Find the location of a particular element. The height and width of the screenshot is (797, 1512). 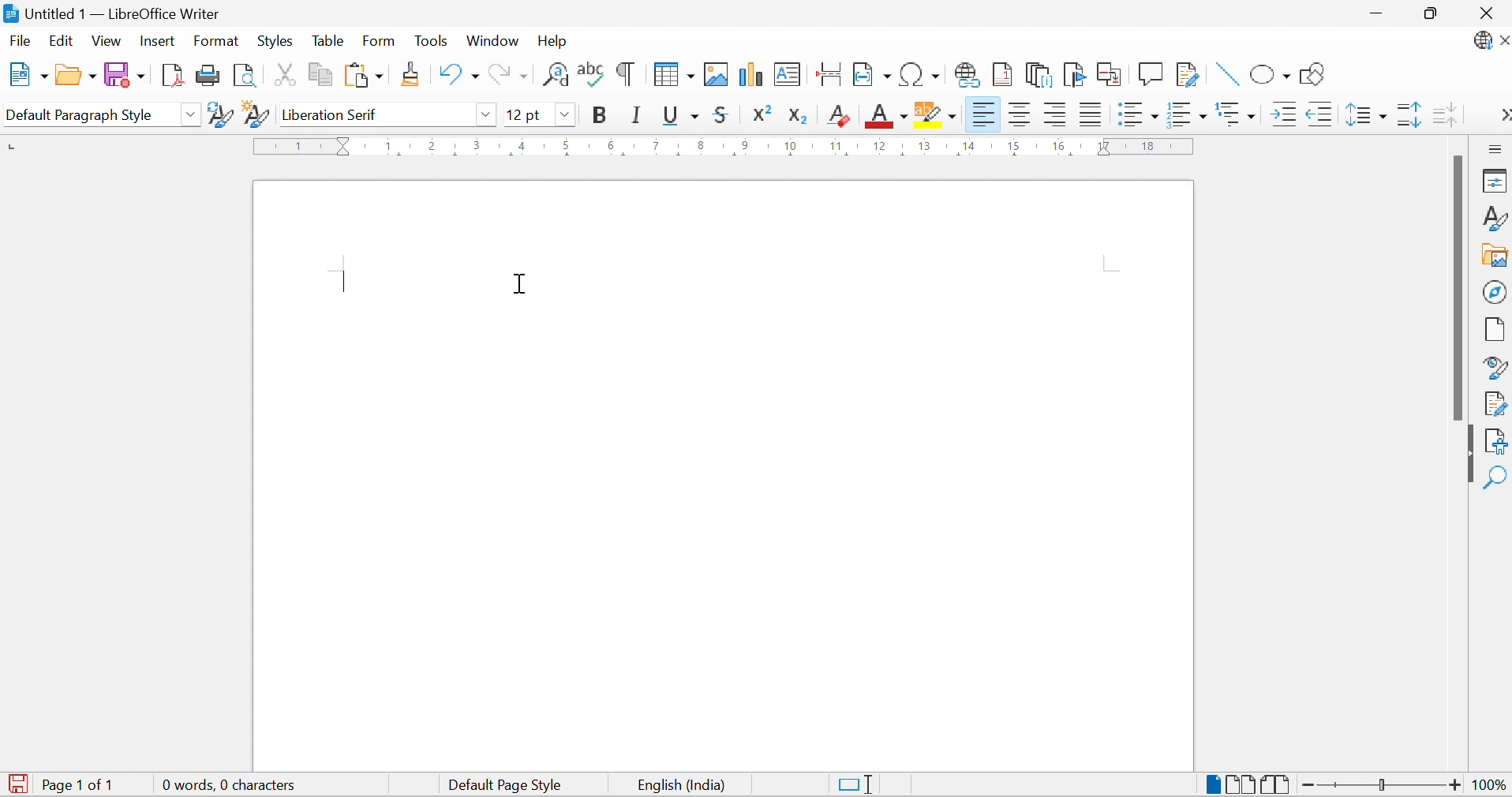

11 is located at coordinates (837, 146).